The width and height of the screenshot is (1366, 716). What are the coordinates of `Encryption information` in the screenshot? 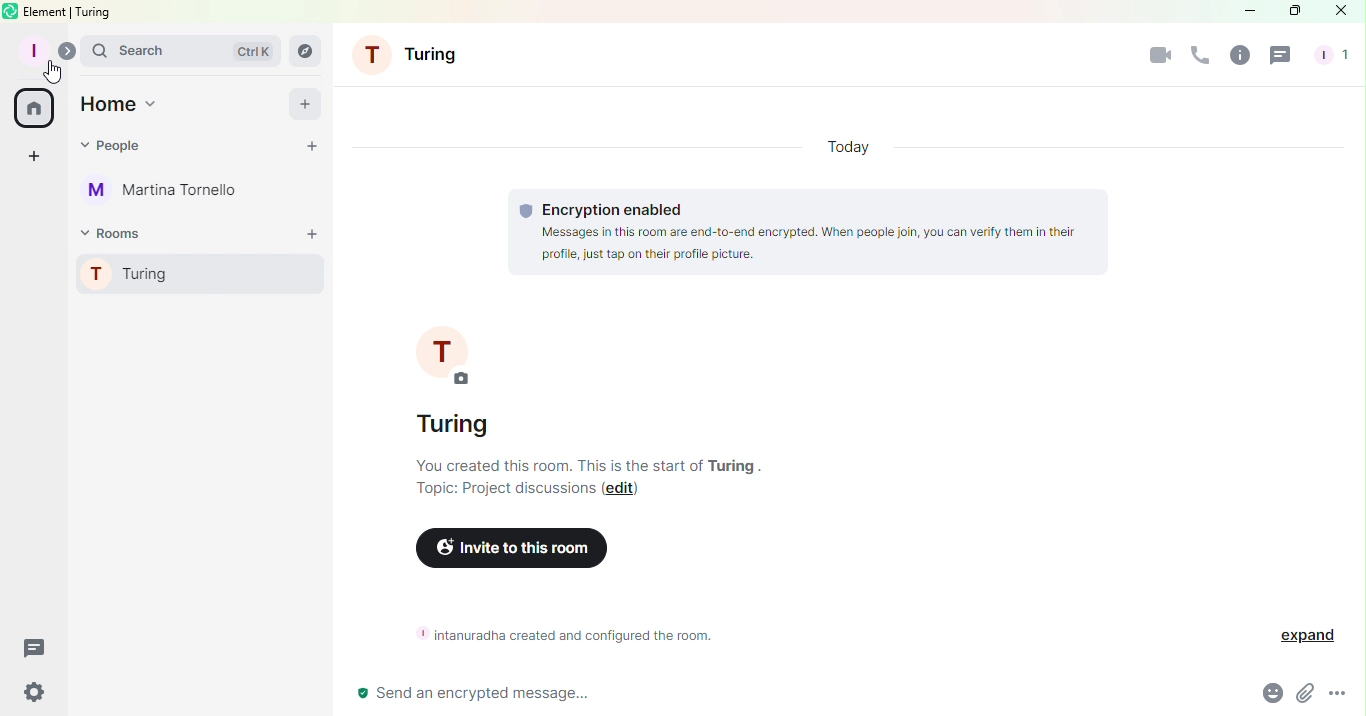 It's located at (805, 232).